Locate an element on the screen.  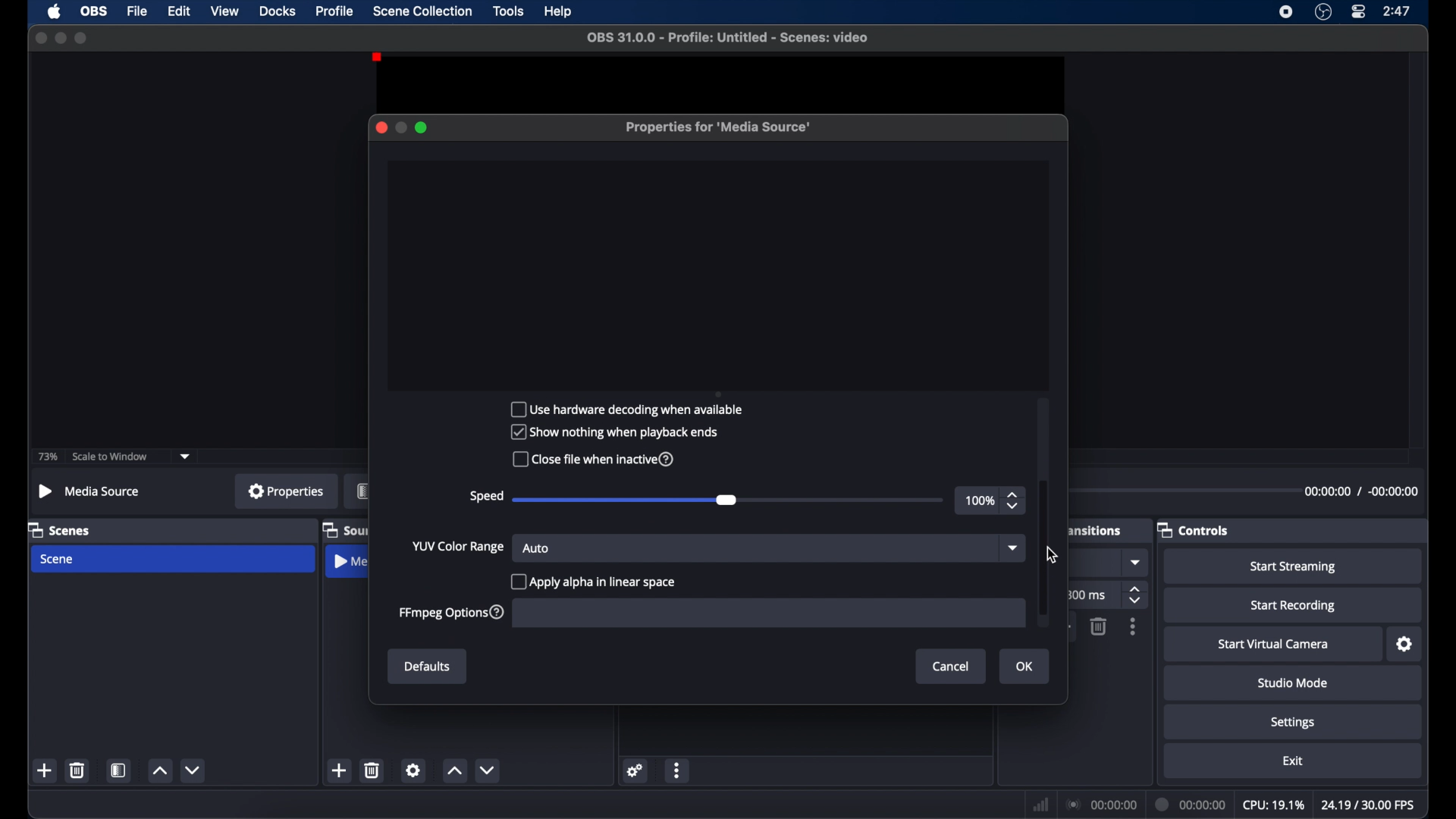
yup color change is located at coordinates (457, 546).